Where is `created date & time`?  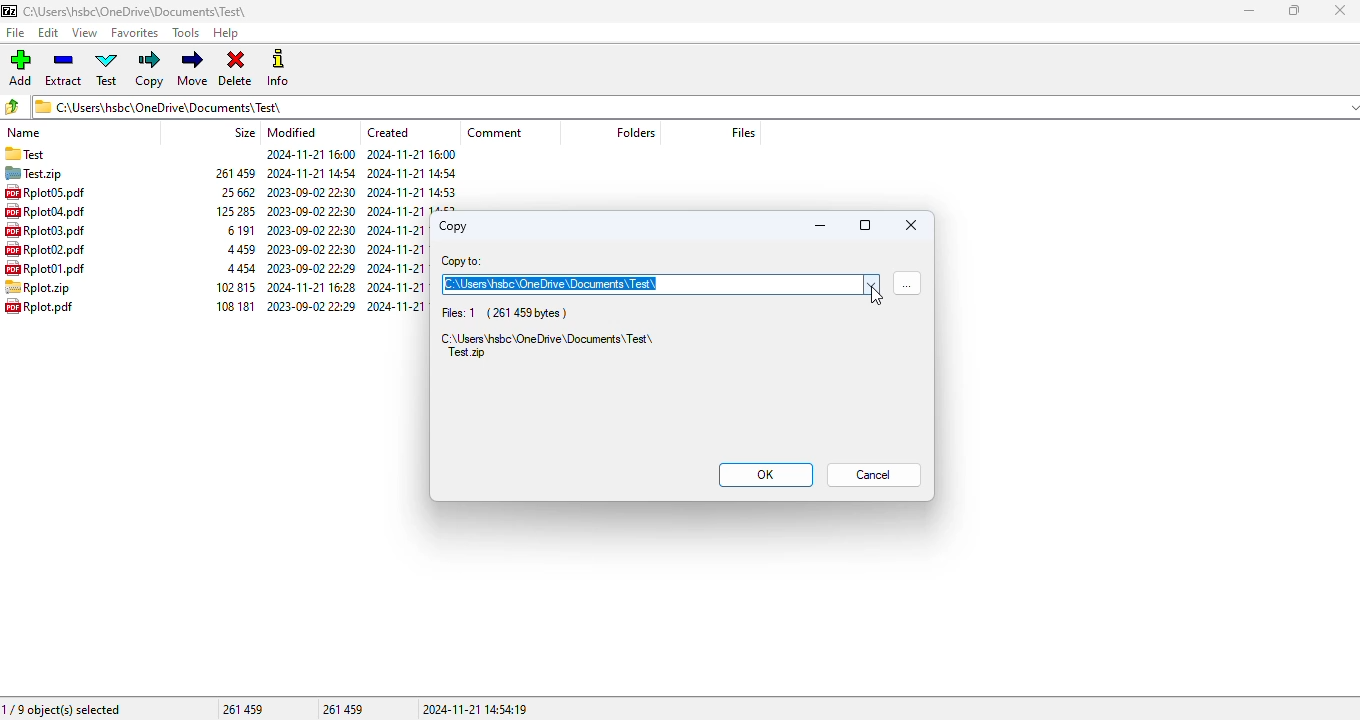
created date & time is located at coordinates (411, 191).